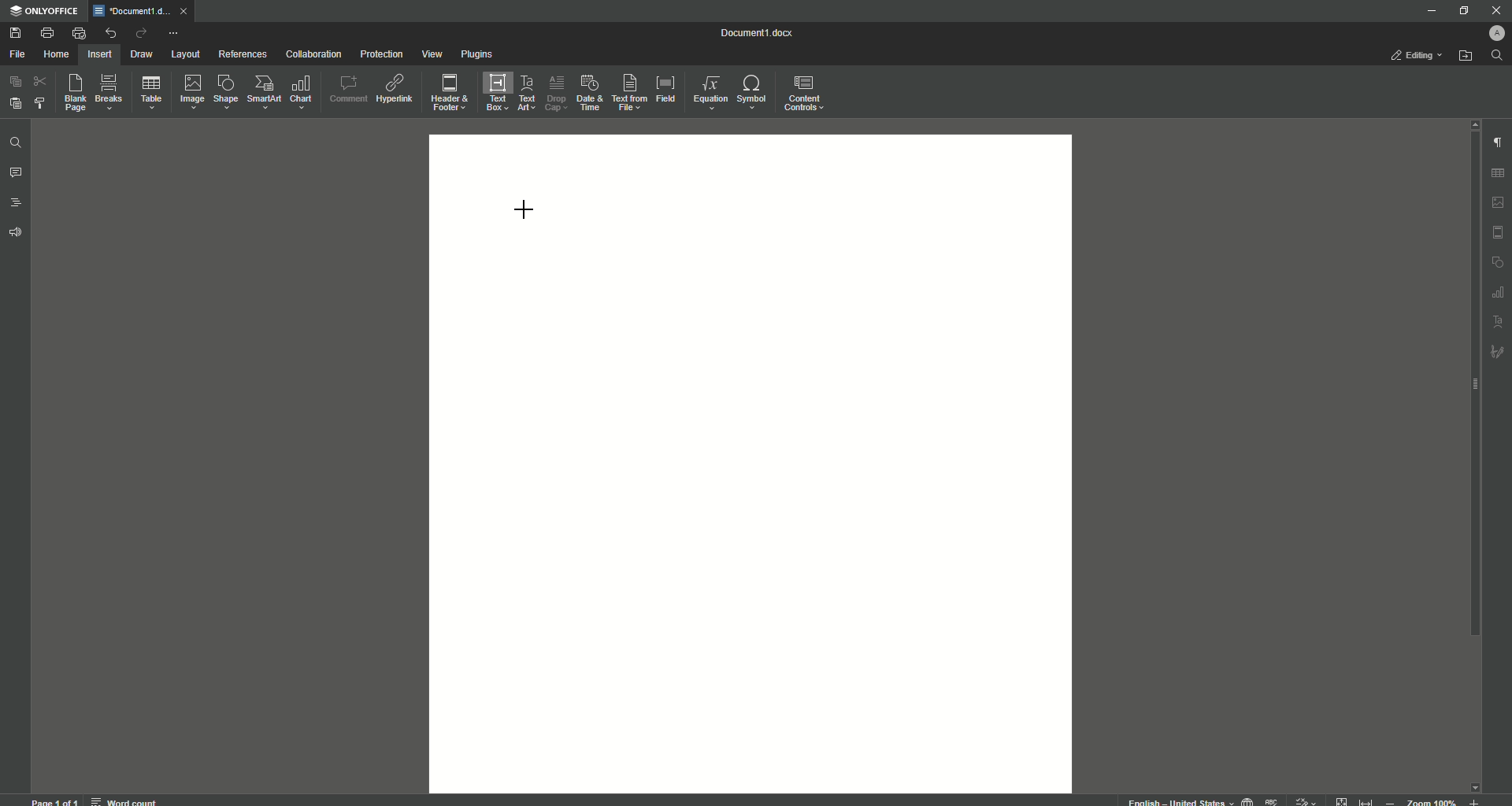 The image size is (1512, 806). Describe the element at coordinates (524, 94) in the screenshot. I see `Text Art` at that location.